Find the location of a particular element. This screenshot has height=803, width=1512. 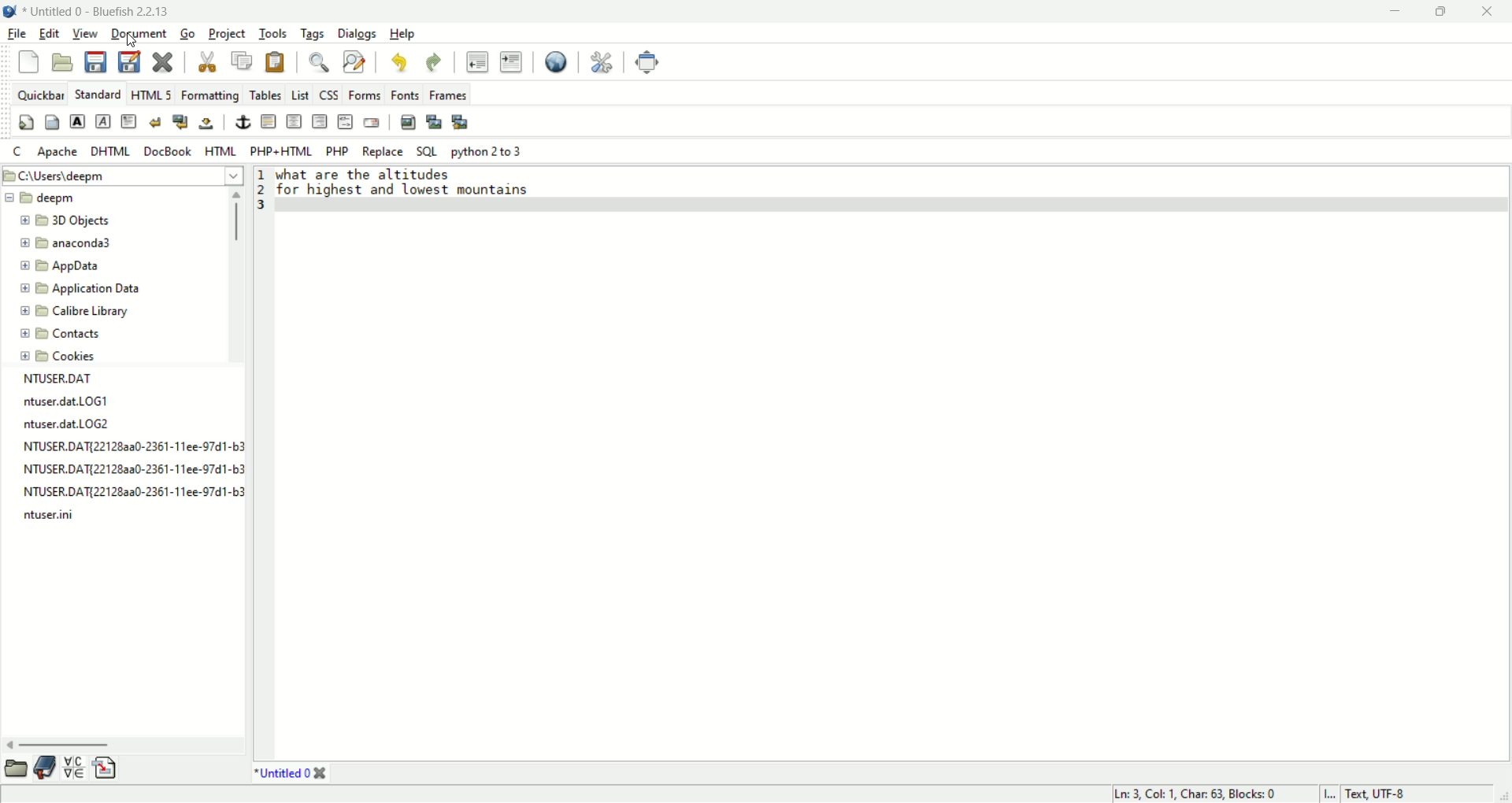

calibre is located at coordinates (79, 312).